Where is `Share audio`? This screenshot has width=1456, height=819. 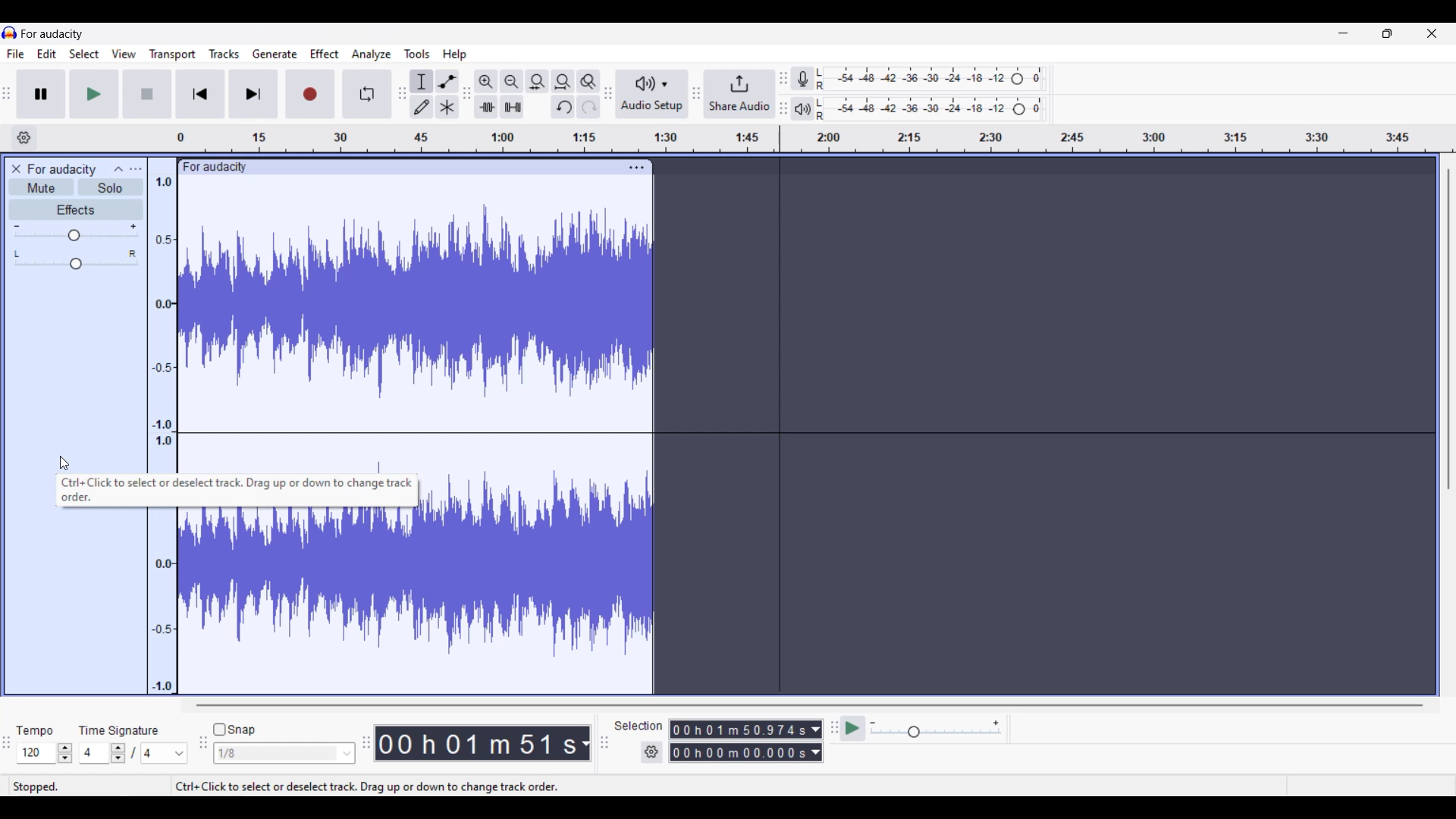 Share audio is located at coordinates (741, 94).